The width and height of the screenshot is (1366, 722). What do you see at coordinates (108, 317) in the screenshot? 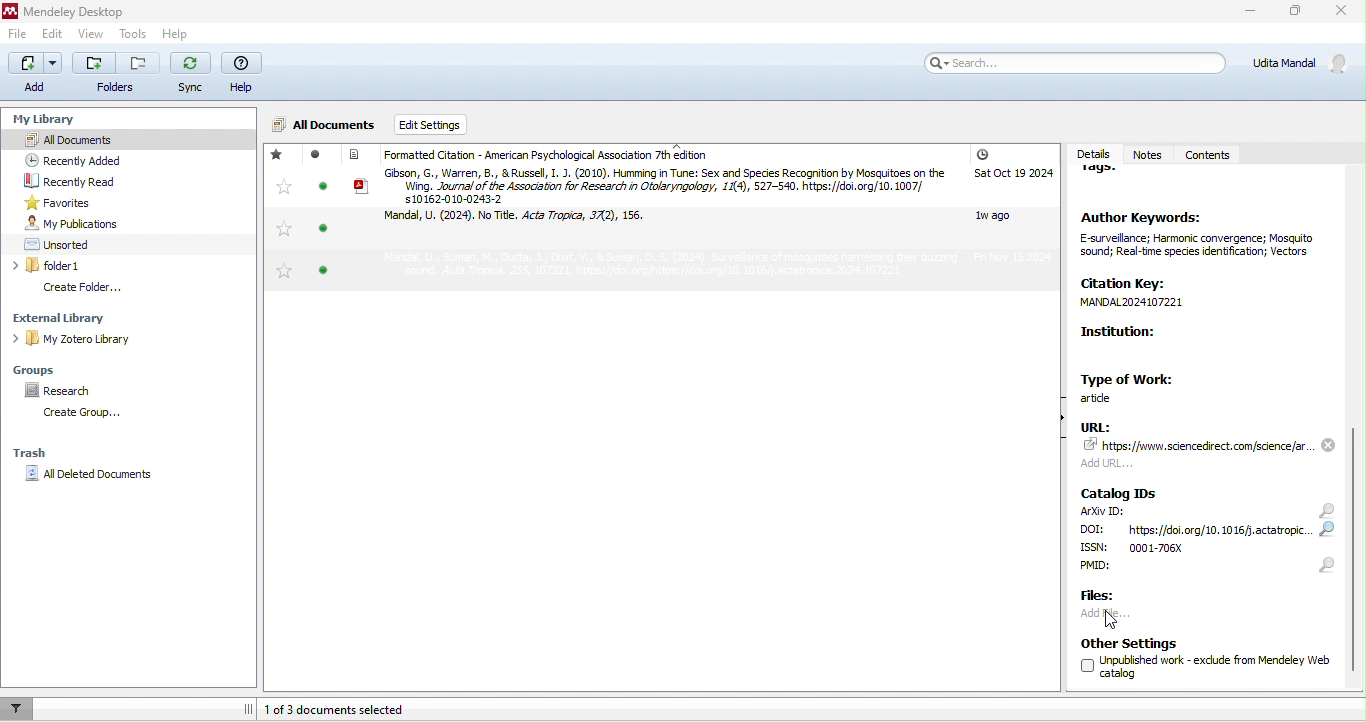
I see `external library` at bounding box center [108, 317].